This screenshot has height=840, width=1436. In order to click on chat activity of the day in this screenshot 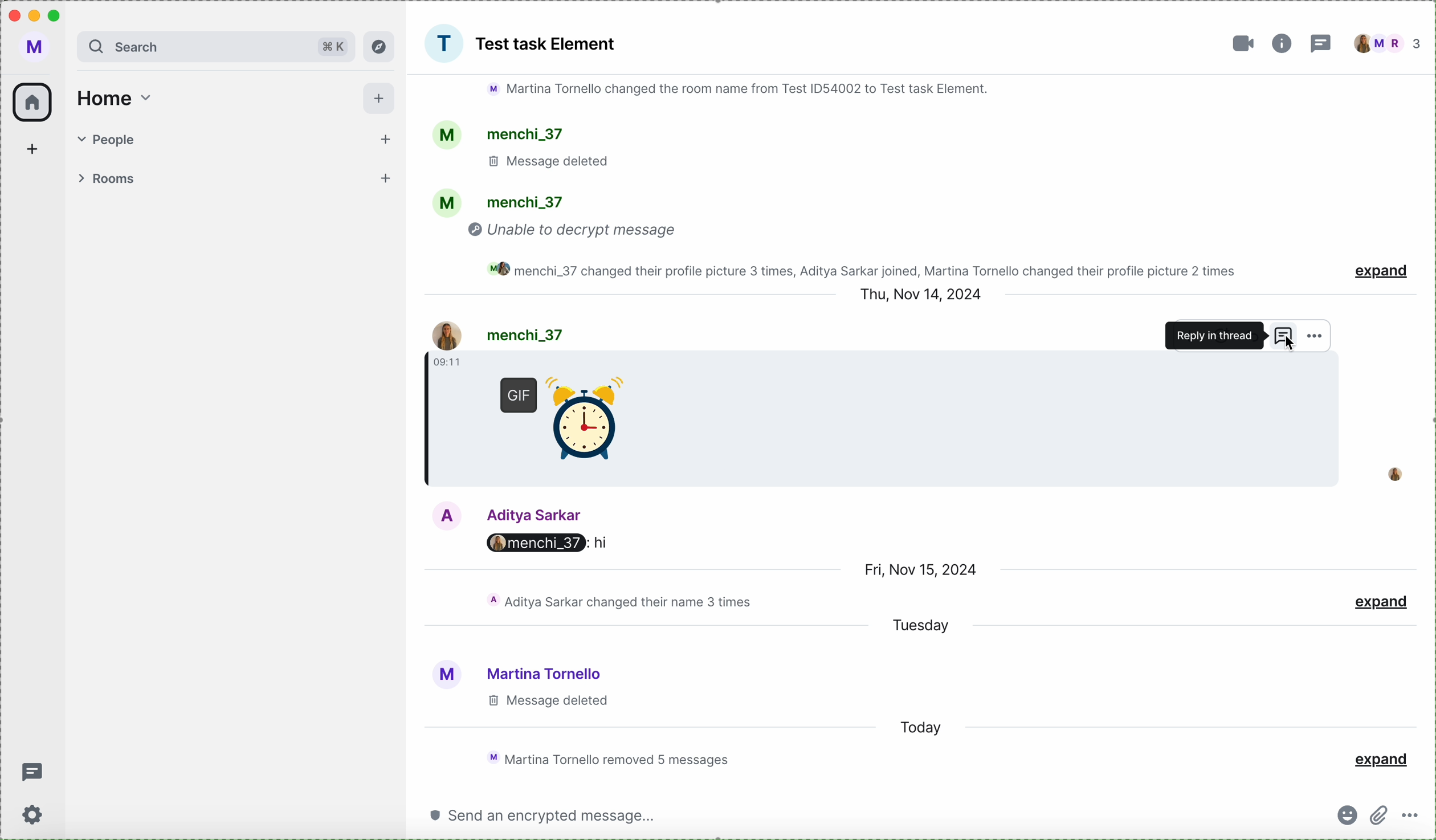, I will do `click(604, 759)`.